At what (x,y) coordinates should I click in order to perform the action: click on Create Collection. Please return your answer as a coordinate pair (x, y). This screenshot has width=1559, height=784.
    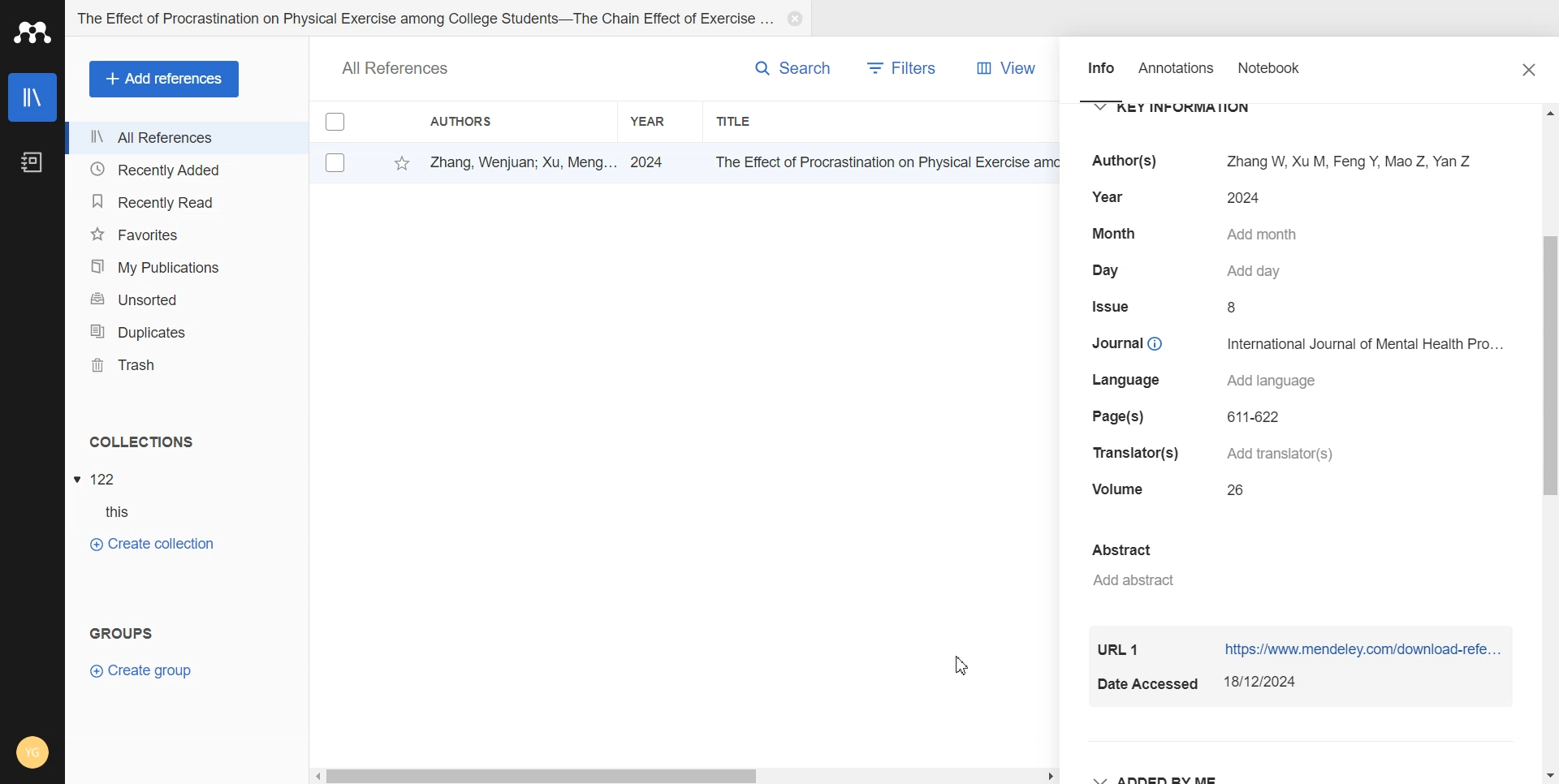
    Looking at the image, I should click on (152, 544).